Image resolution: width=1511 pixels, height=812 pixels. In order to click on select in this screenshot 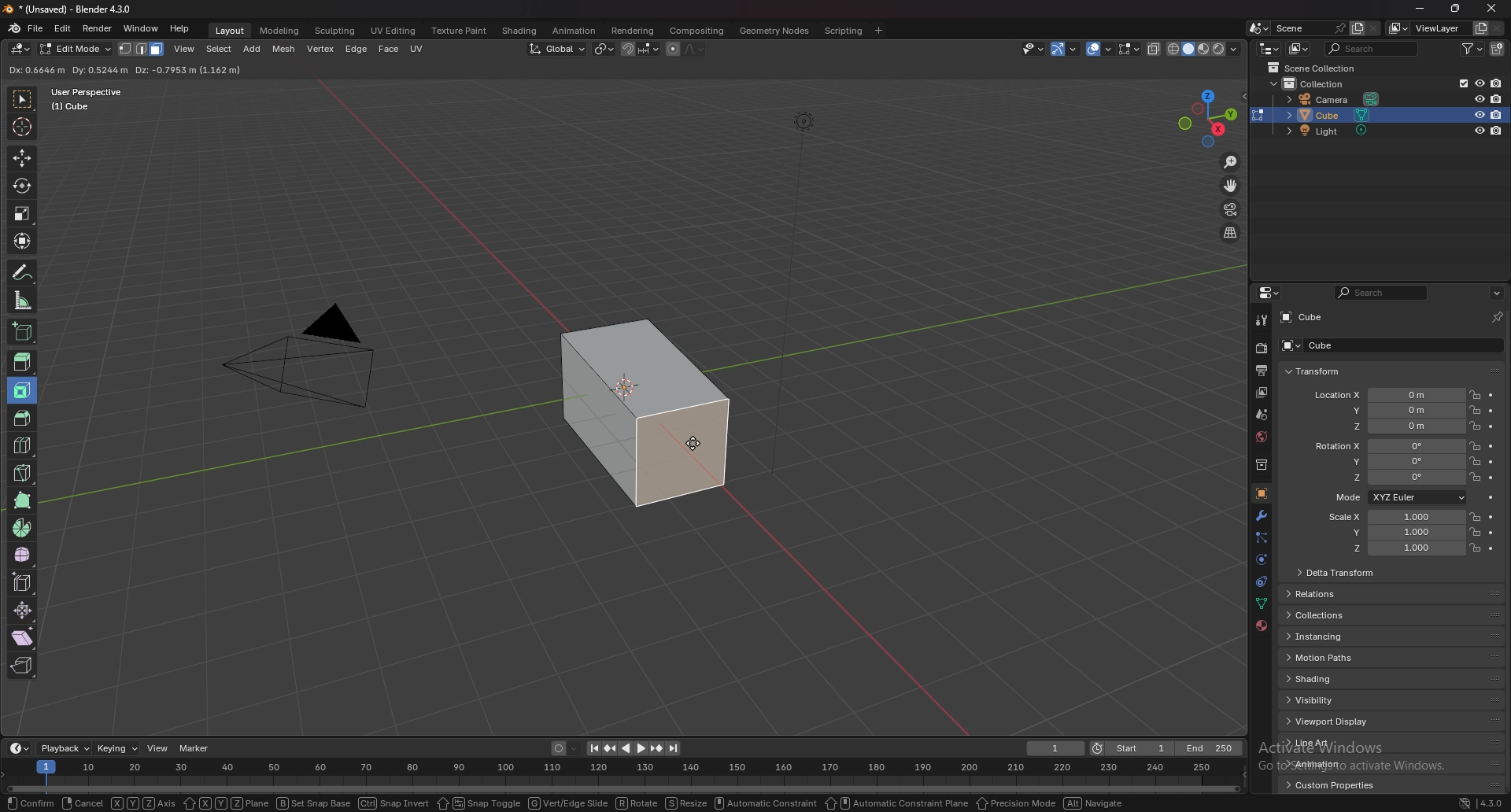, I will do `click(219, 49)`.